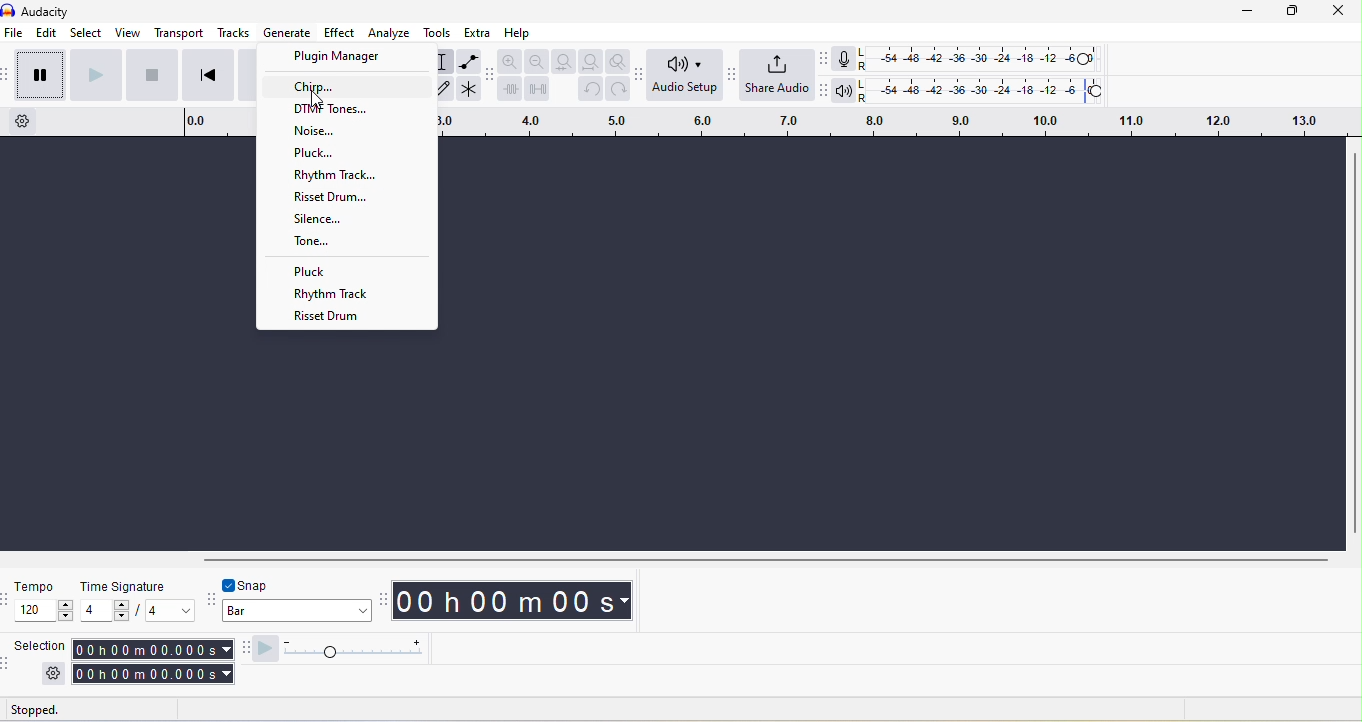 The height and width of the screenshot is (722, 1362). What do you see at coordinates (590, 62) in the screenshot?
I see `fit project to width` at bounding box center [590, 62].